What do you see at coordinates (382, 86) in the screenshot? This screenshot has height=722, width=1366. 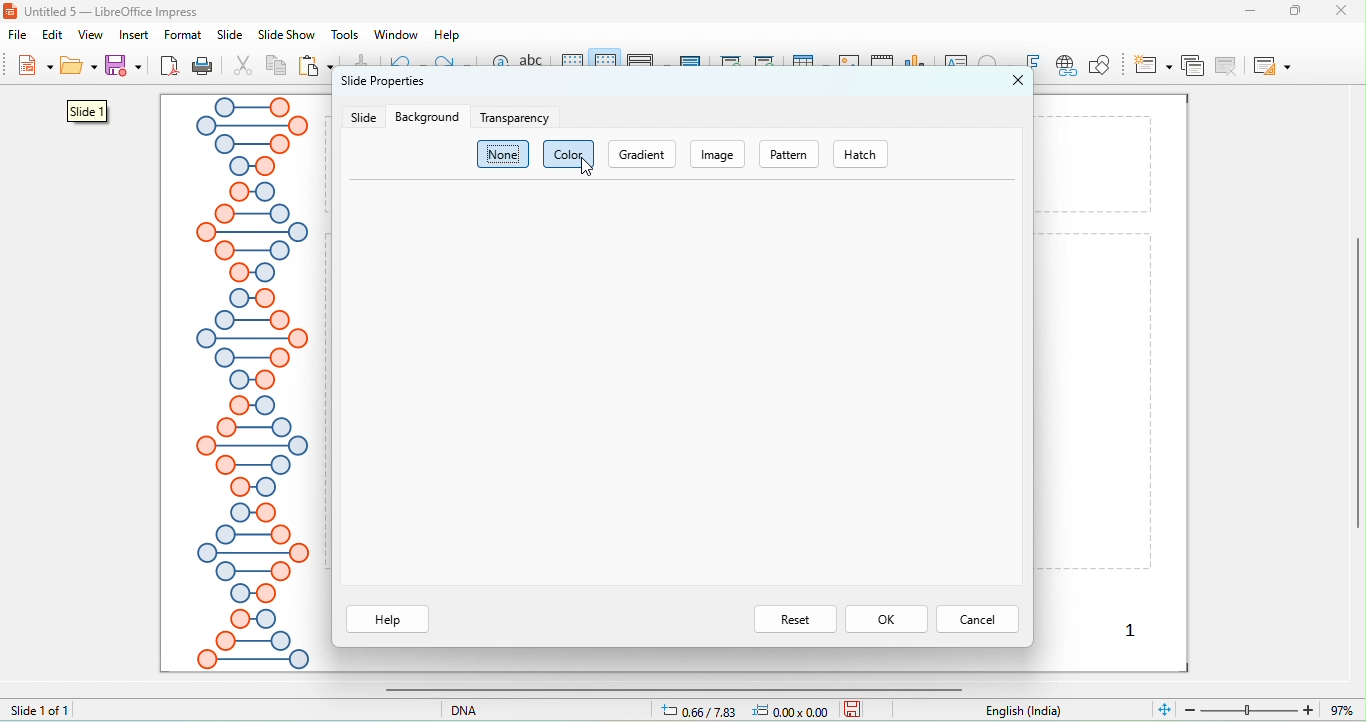 I see `slide properties` at bounding box center [382, 86].